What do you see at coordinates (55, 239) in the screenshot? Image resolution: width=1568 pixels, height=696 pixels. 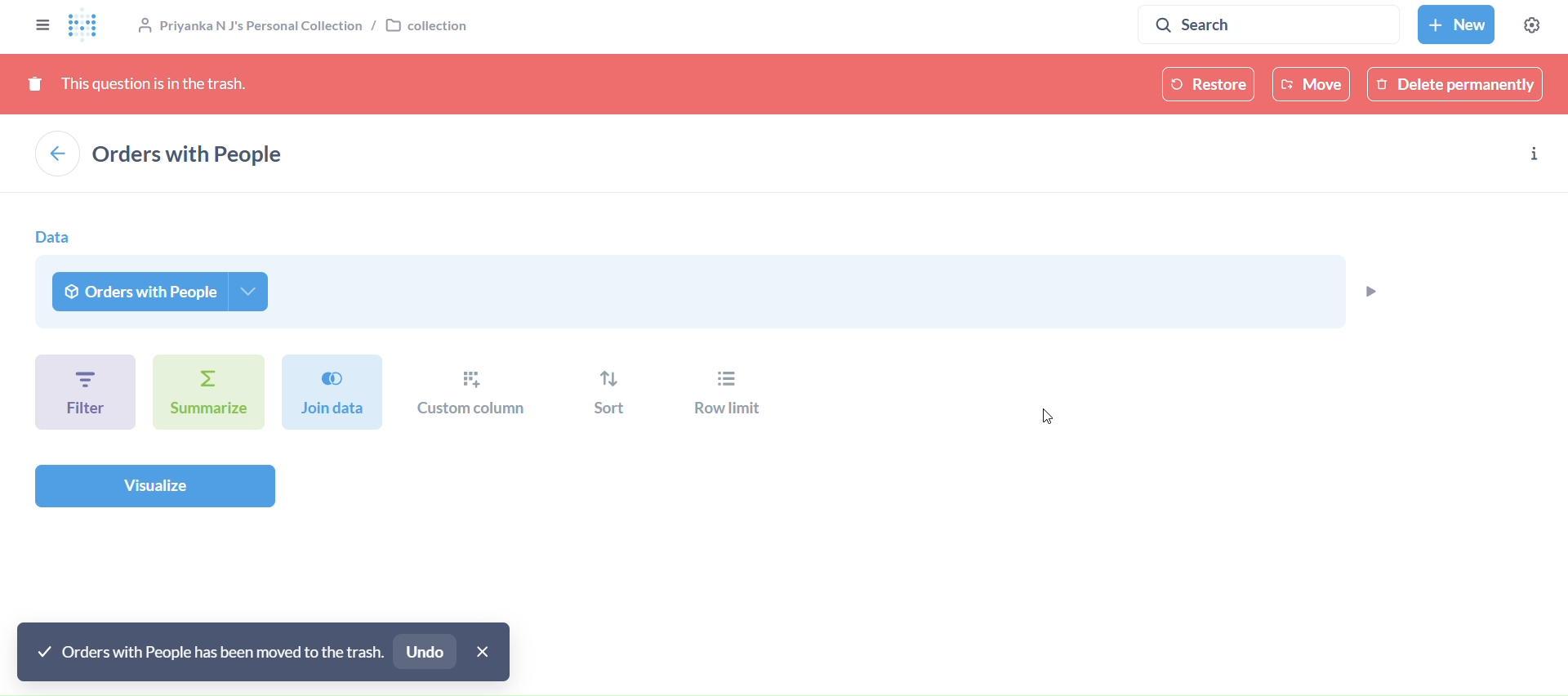 I see `data` at bounding box center [55, 239].